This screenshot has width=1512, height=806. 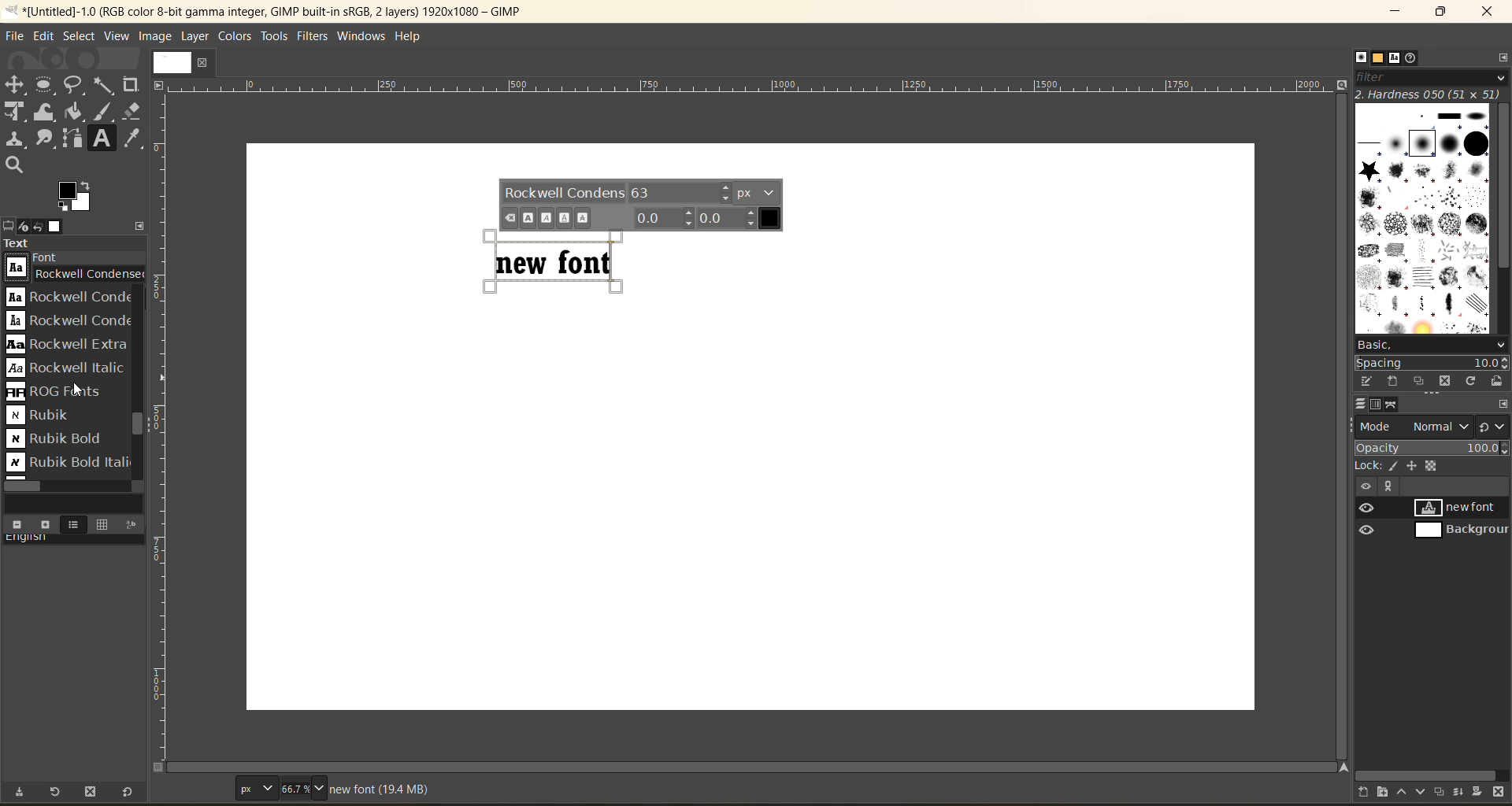 What do you see at coordinates (1389, 12) in the screenshot?
I see `minimize` at bounding box center [1389, 12].